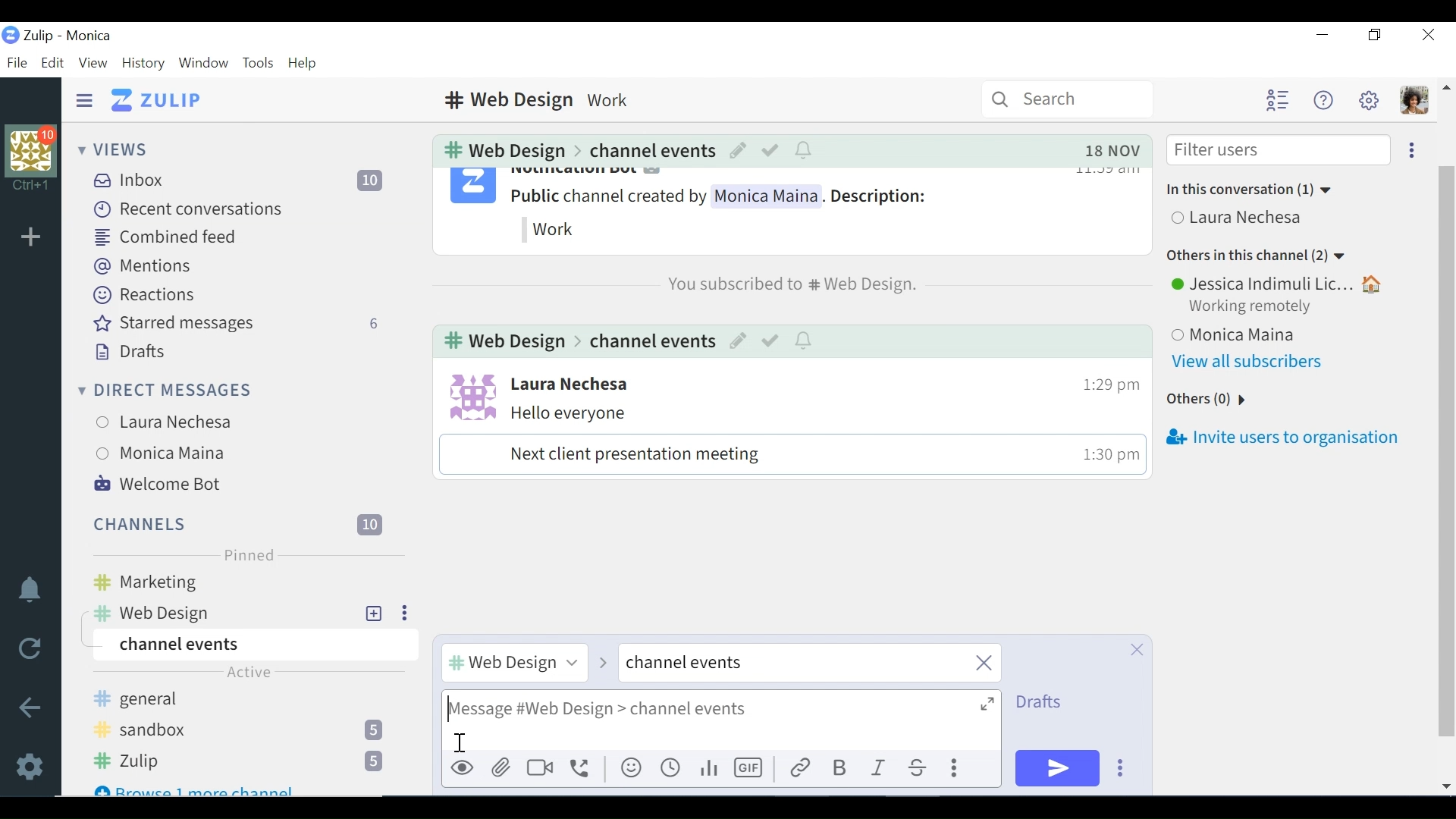 The image size is (1456, 819). Describe the element at coordinates (1255, 307) in the screenshot. I see `Working Remotely status` at that location.